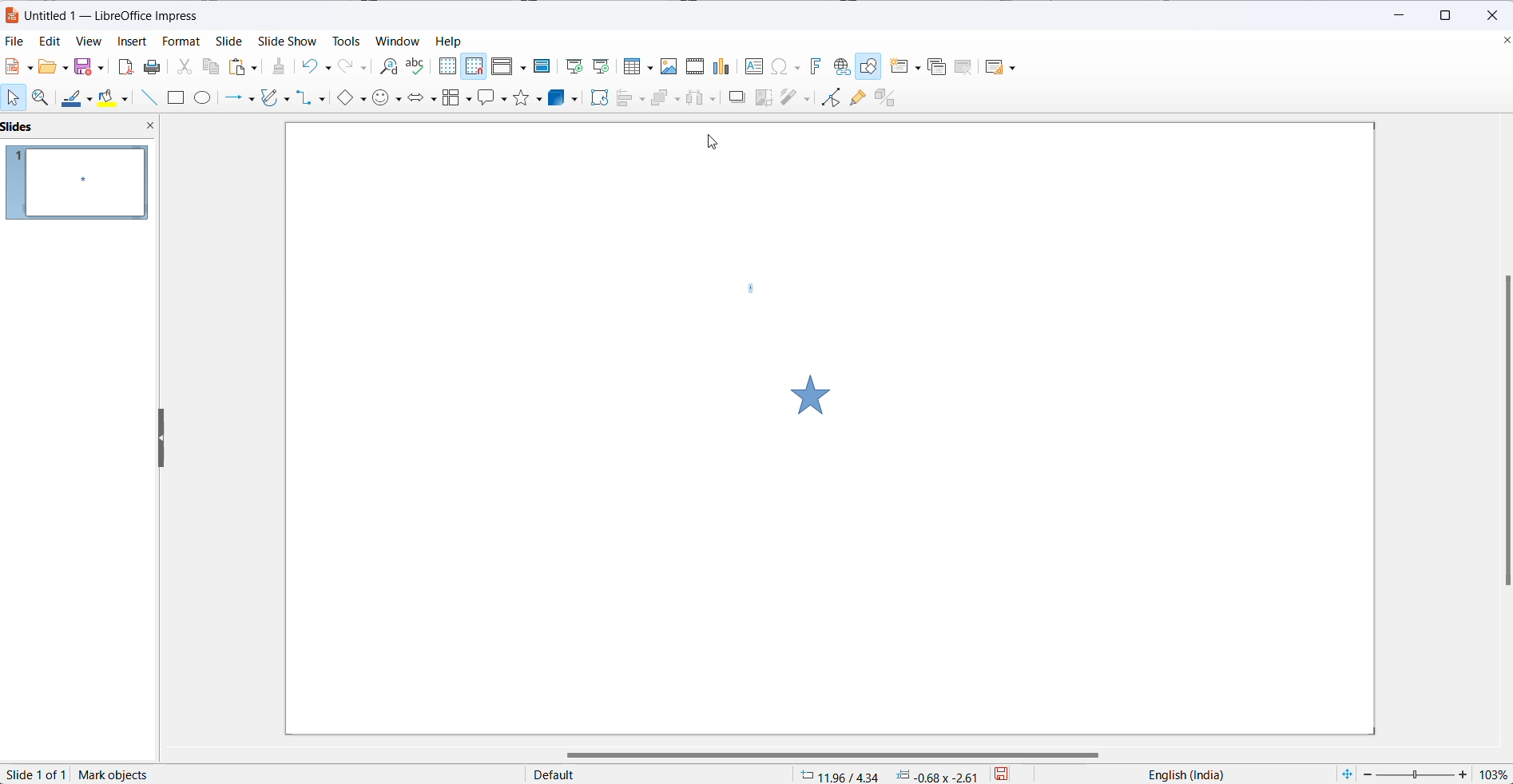 The width and height of the screenshot is (1513, 784). Describe the element at coordinates (280, 66) in the screenshot. I see `clone formatting` at that location.